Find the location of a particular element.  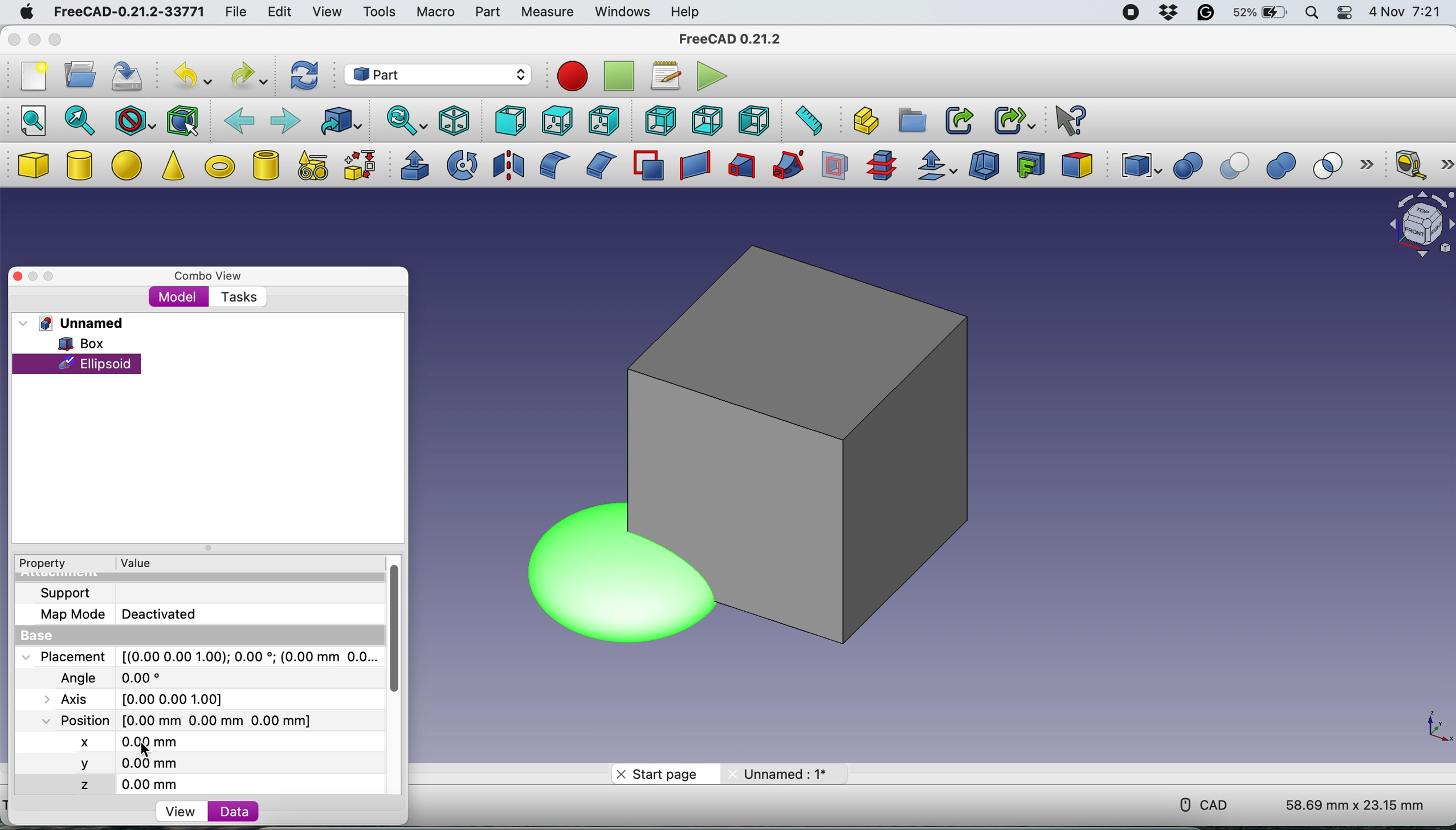

y 0.00 mm is located at coordinates (130, 766).